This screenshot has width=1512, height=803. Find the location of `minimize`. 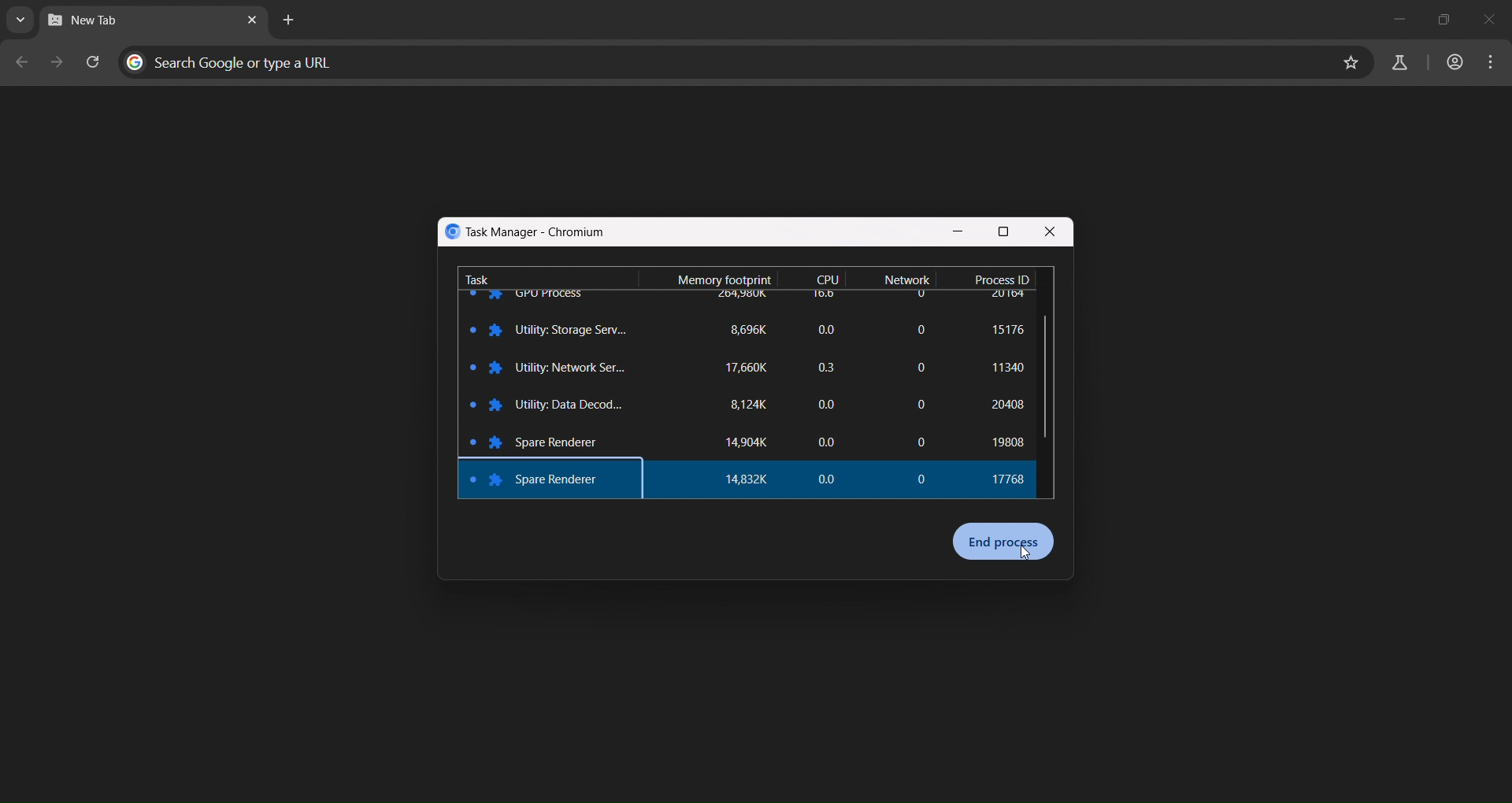

minimize is located at coordinates (958, 232).